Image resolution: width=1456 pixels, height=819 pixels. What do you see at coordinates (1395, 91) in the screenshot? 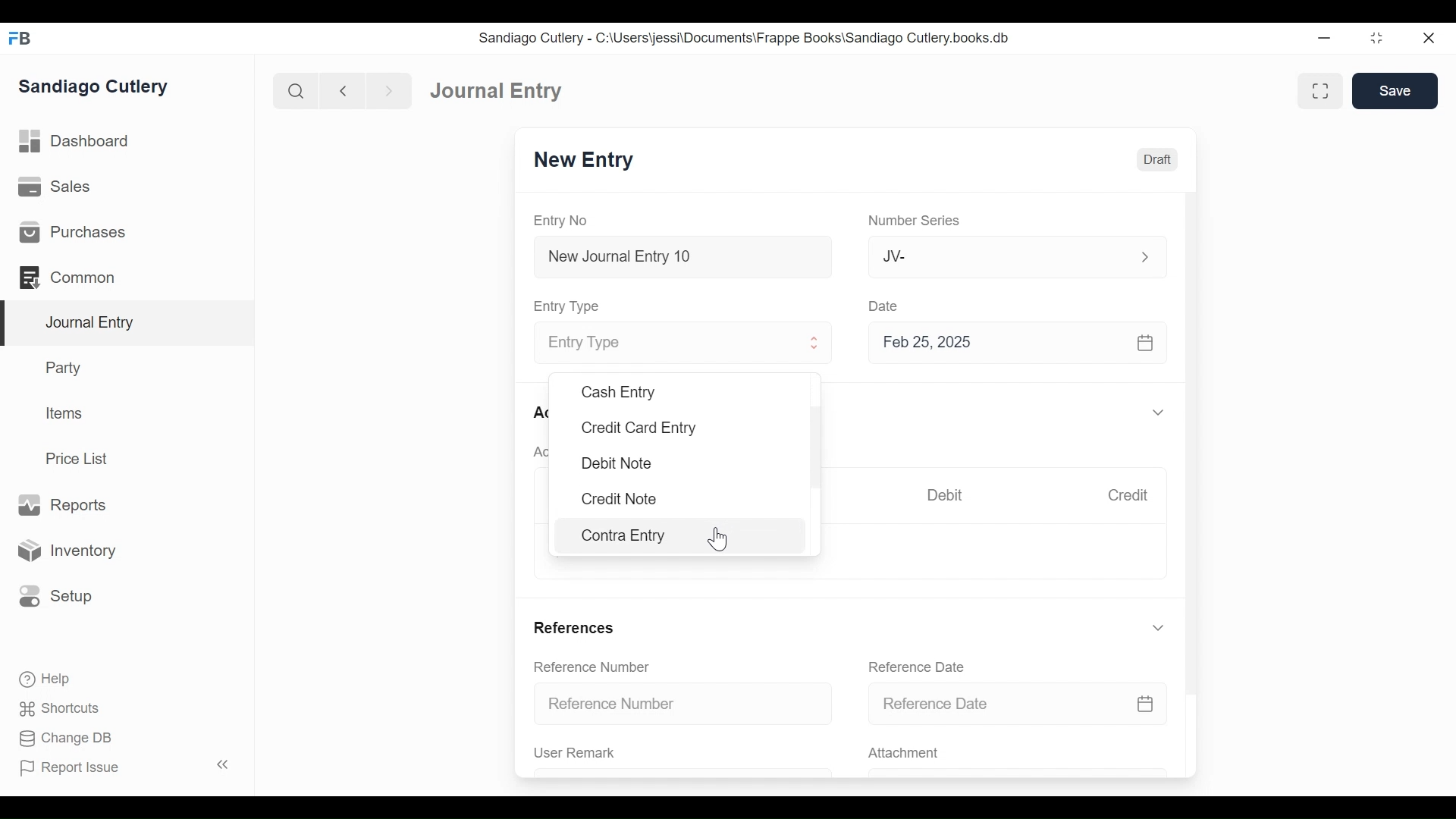
I see `Save` at bounding box center [1395, 91].